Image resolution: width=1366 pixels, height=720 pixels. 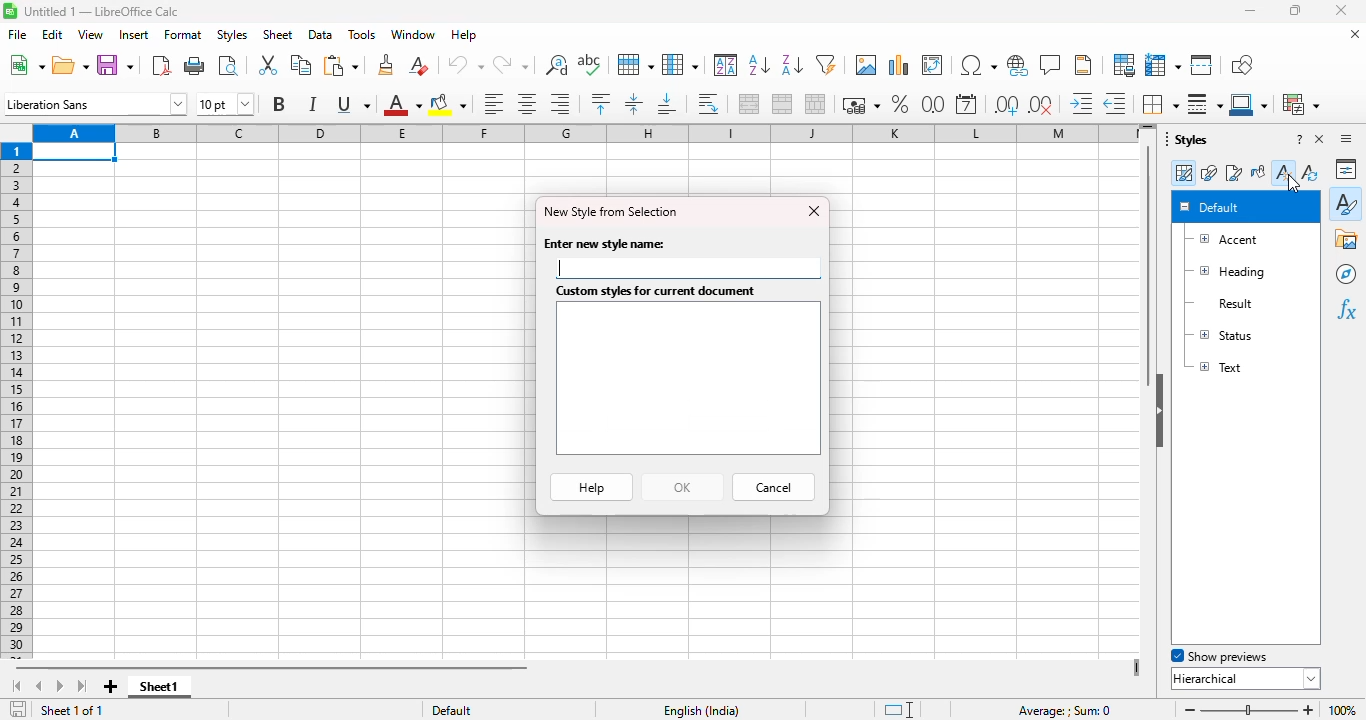 I want to click on typing, so click(x=559, y=267).